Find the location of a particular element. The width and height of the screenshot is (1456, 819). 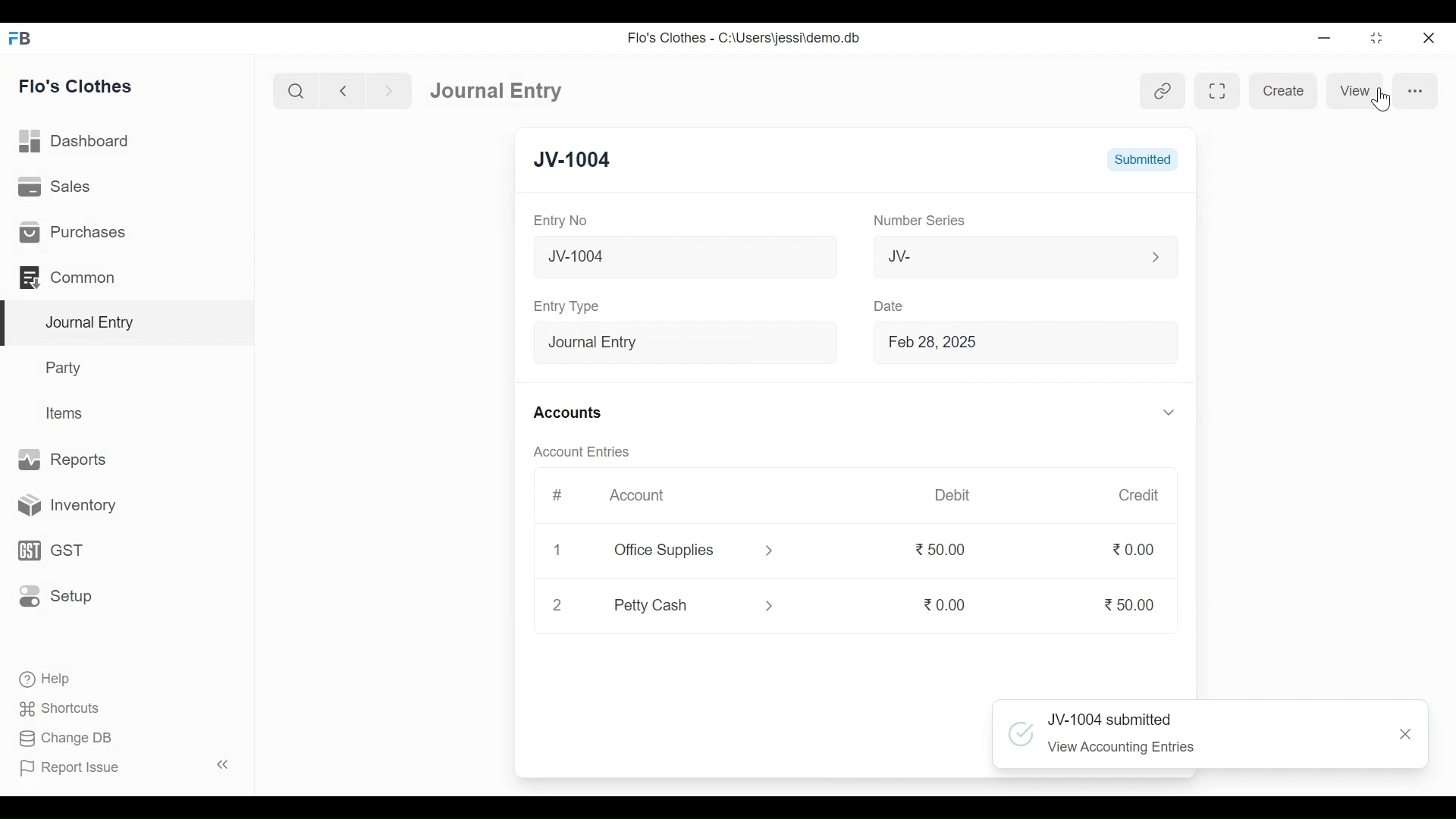

Change DB is located at coordinates (64, 736).